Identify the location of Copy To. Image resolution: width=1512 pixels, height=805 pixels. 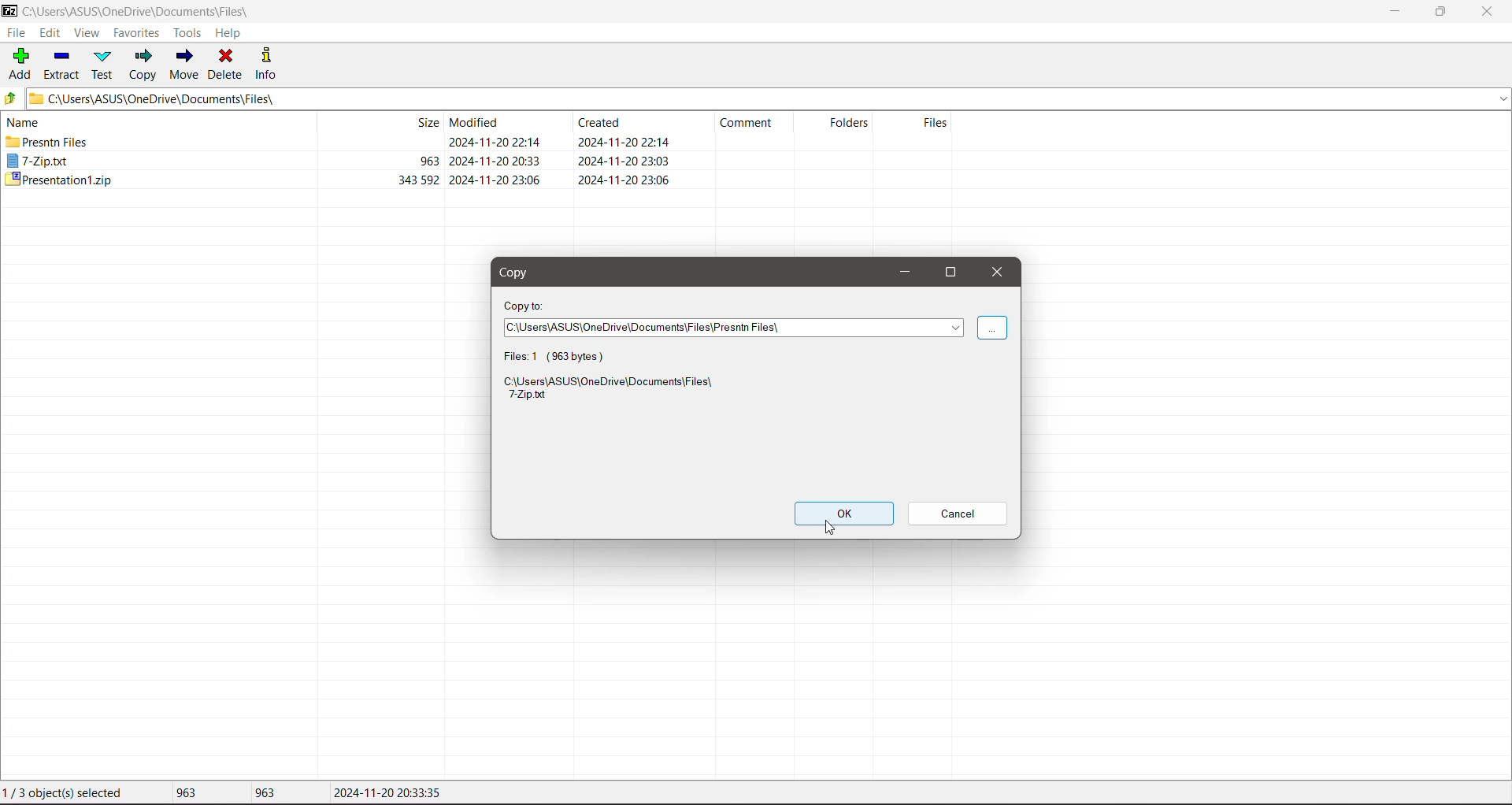
(525, 306).